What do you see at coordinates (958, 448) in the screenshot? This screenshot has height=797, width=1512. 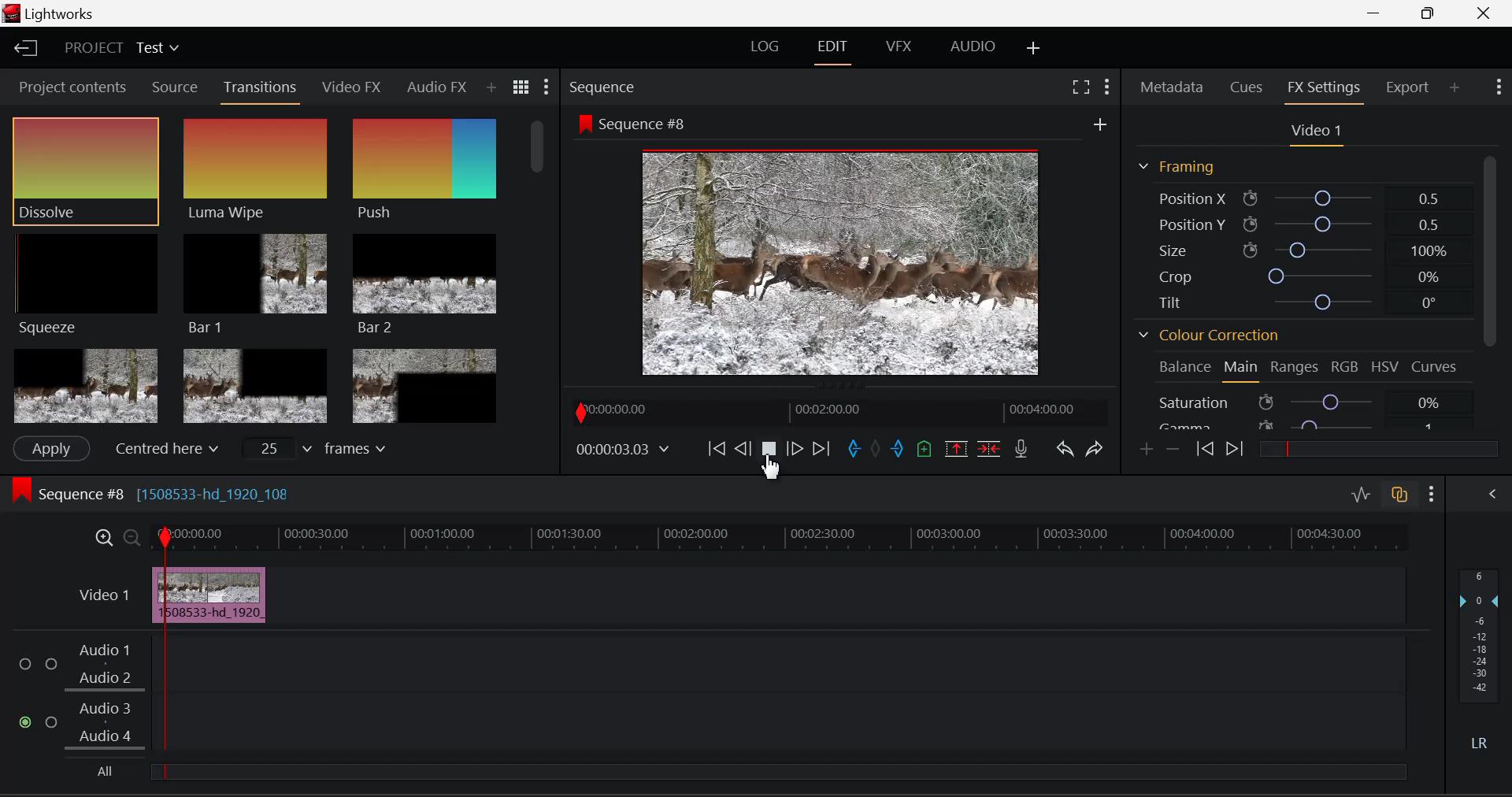 I see `Remove Marked Section` at bounding box center [958, 448].